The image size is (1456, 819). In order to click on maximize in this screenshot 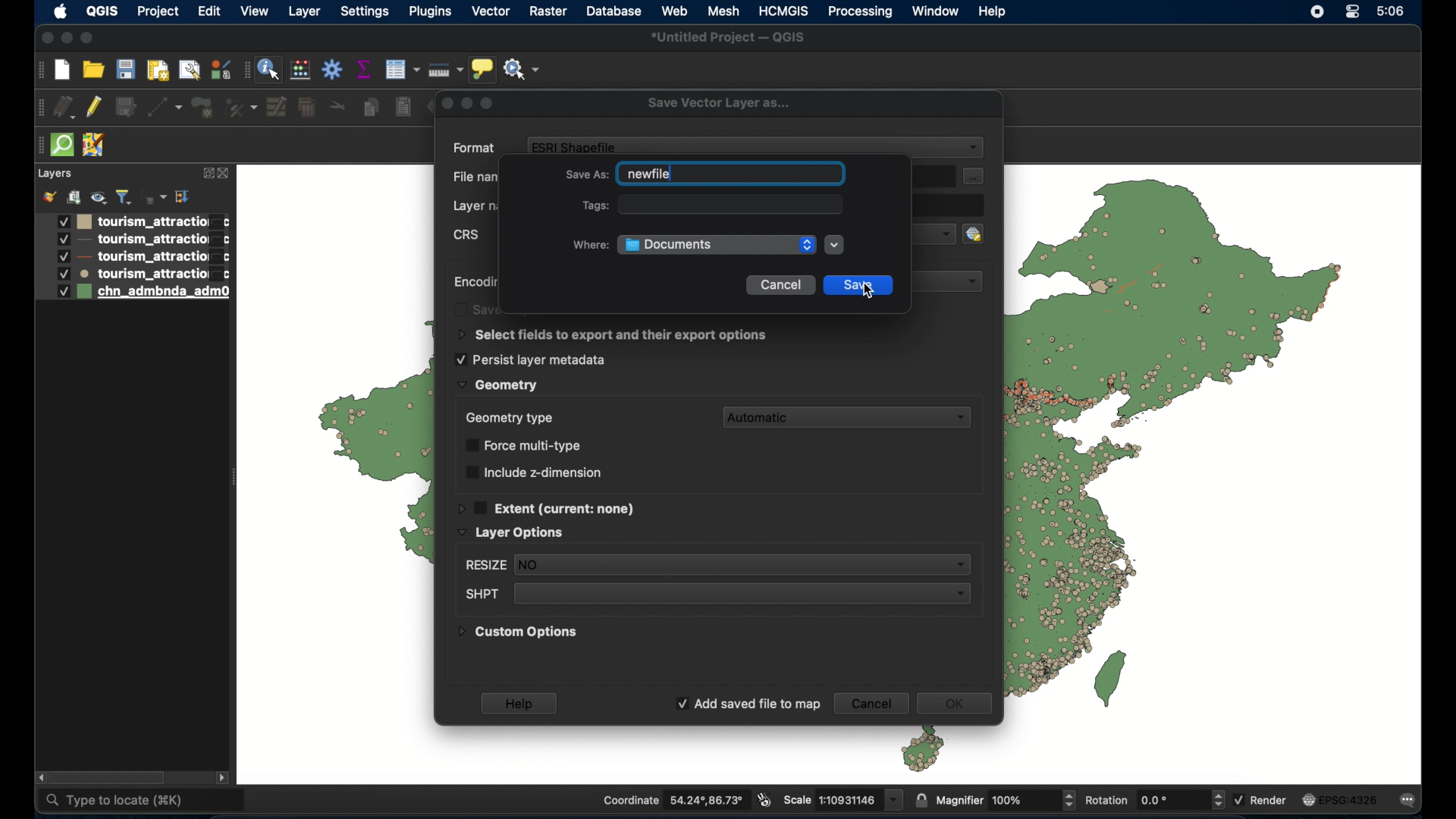, I will do `click(90, 37)`.